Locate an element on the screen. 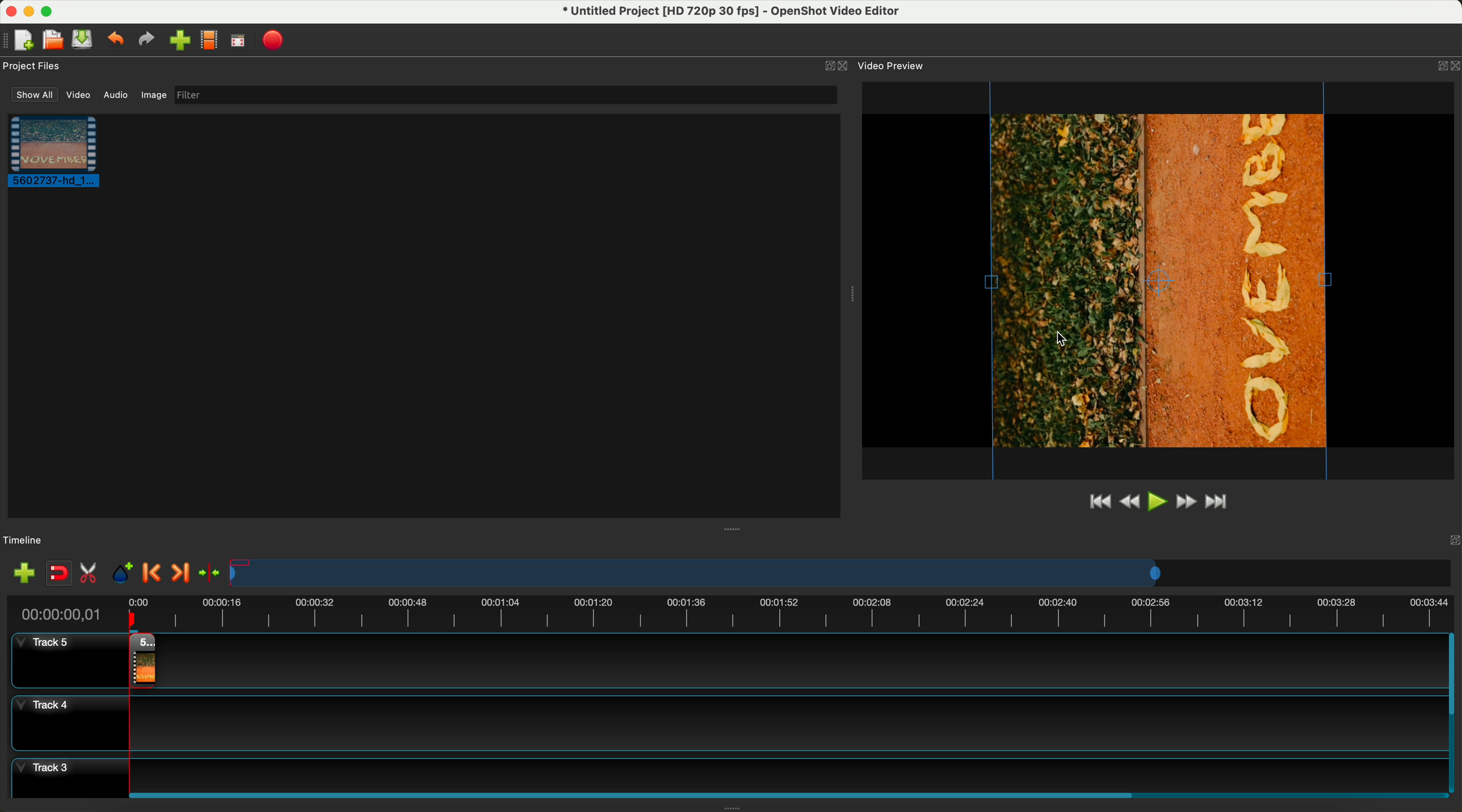 The height and width of the screenshot is (812, 1462). drag video to track 4 is located at coordinates (140, 660).